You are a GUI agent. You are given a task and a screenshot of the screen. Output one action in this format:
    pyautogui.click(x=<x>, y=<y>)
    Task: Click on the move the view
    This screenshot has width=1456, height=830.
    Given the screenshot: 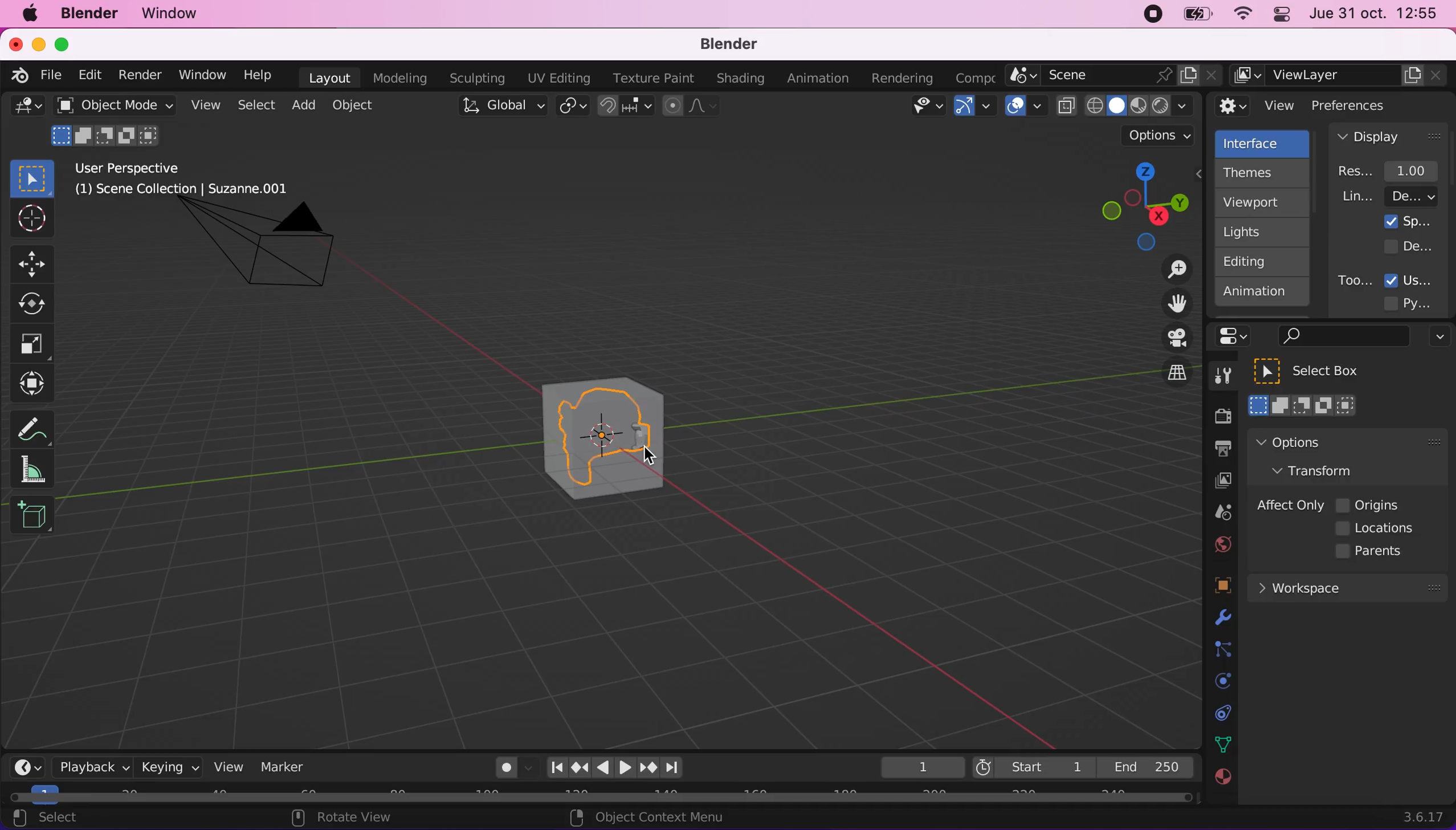 What is the action you would take?
    pyautogui.click(x=1168, y=304)
    